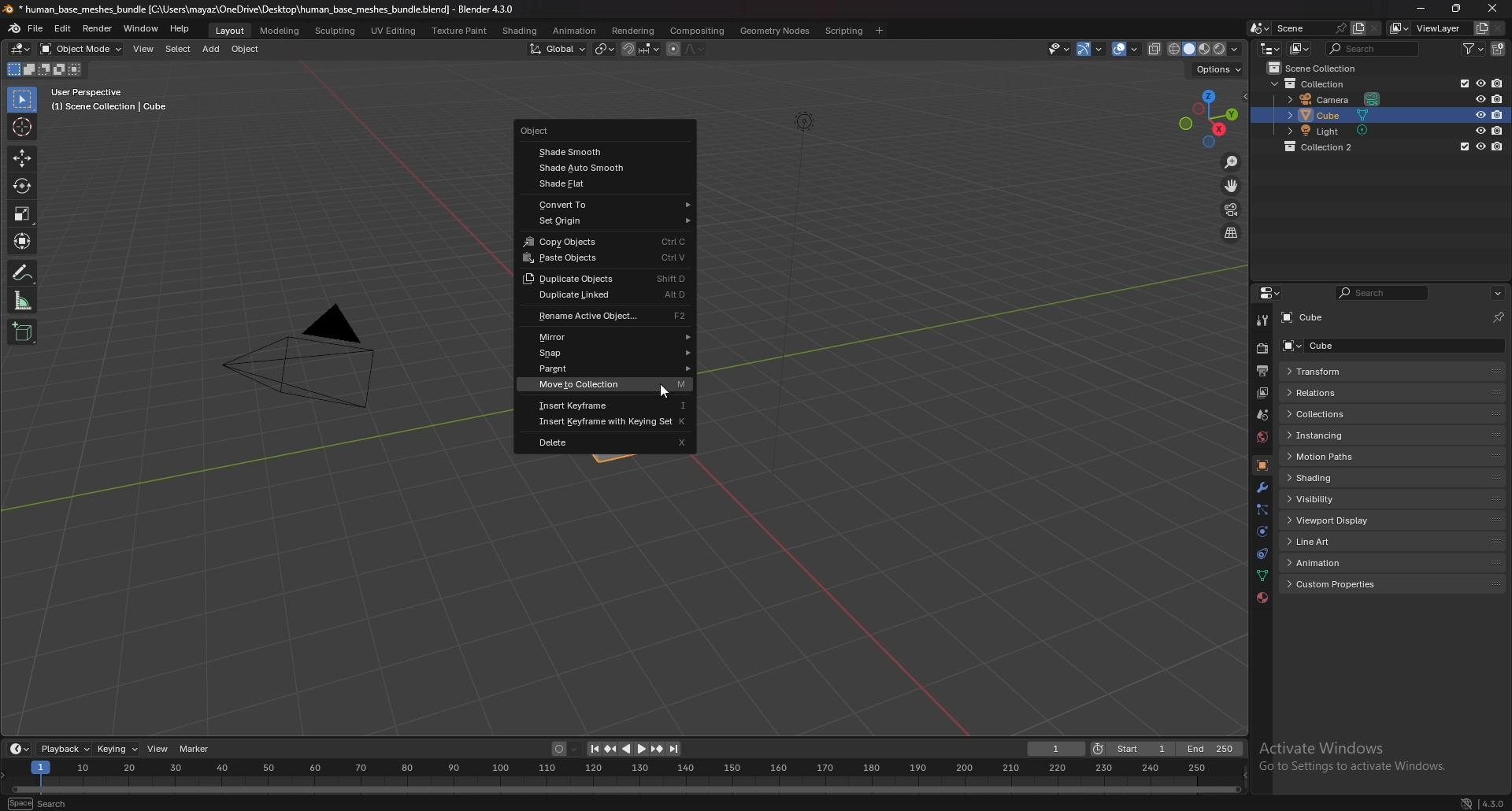 The width and height of the screenshot is (1512, 811). Describe the element at coordinates (1340, 115) in the screenshot. I see `cube` at that location.